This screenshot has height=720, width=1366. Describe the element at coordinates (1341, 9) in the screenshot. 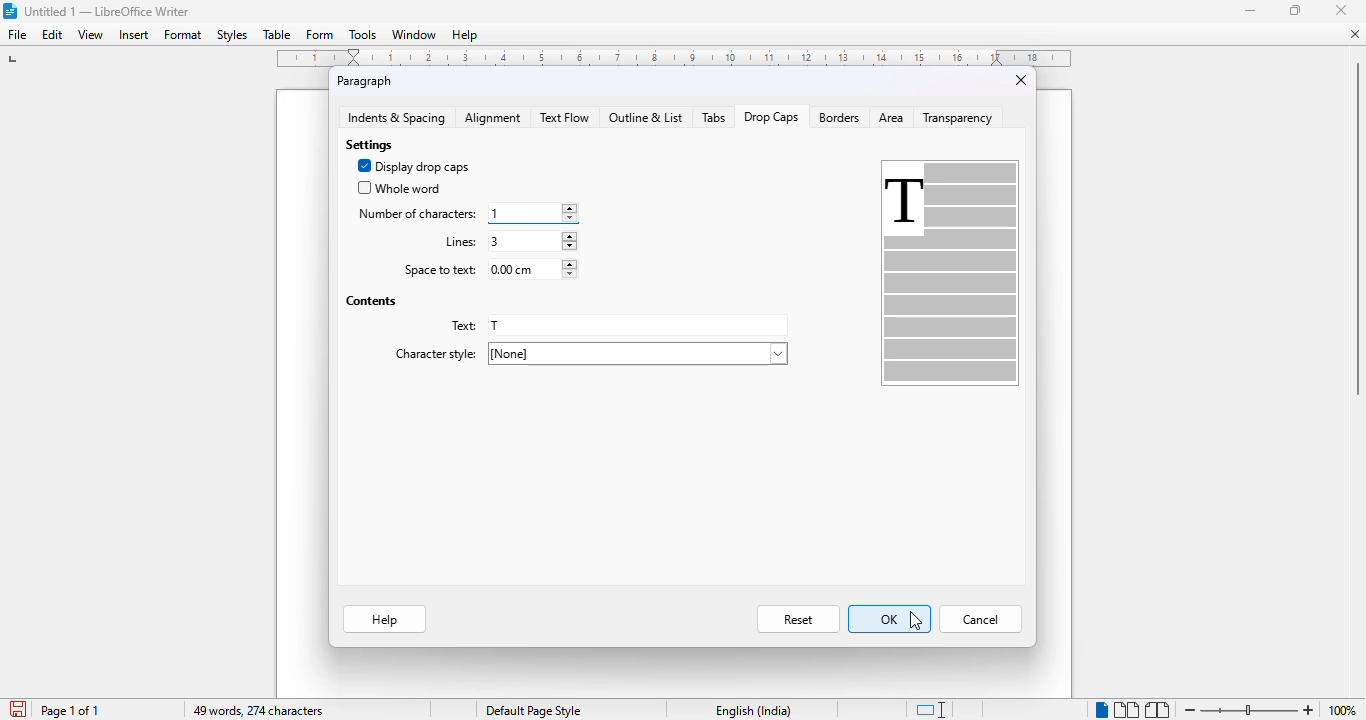

I see `close` at that location.